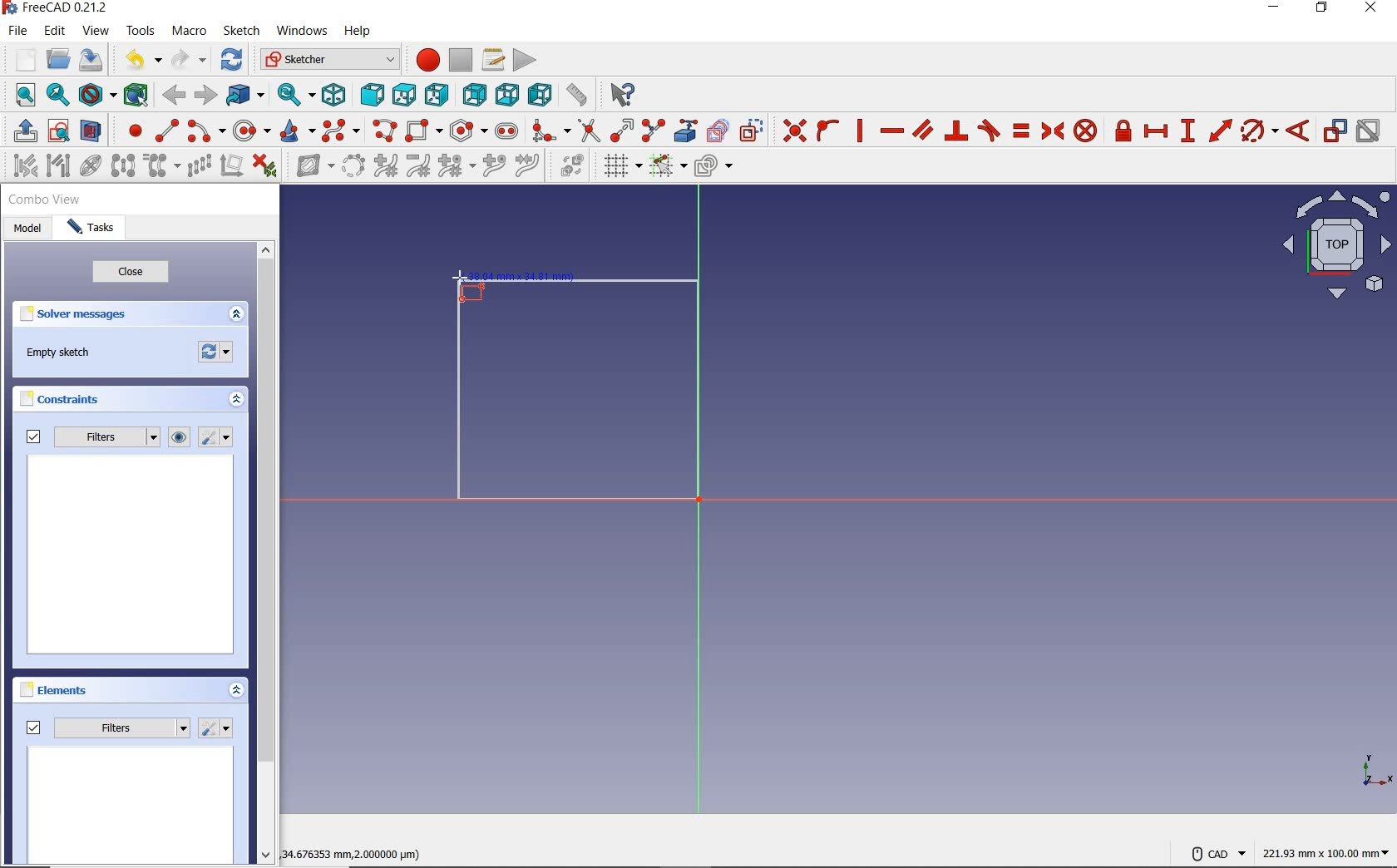 The width and height of the screenshot is (1397, 868). Describe the element at coordinates (1366, 769) in the screenshot. I see `xy` at that location.